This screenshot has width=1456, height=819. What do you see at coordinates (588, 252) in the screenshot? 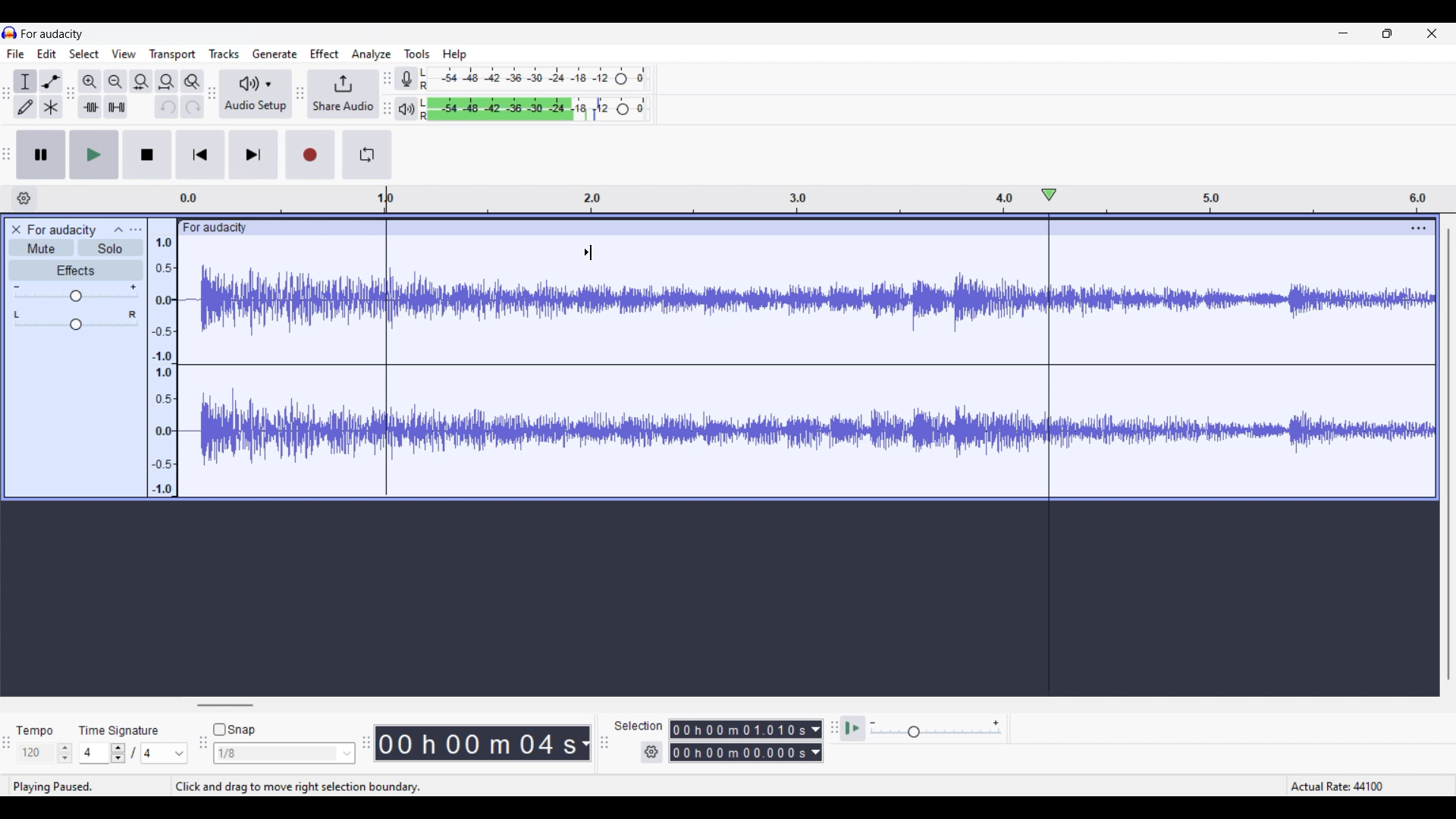
I see `Cursor position unchanged` at bounding box center [588, 252].